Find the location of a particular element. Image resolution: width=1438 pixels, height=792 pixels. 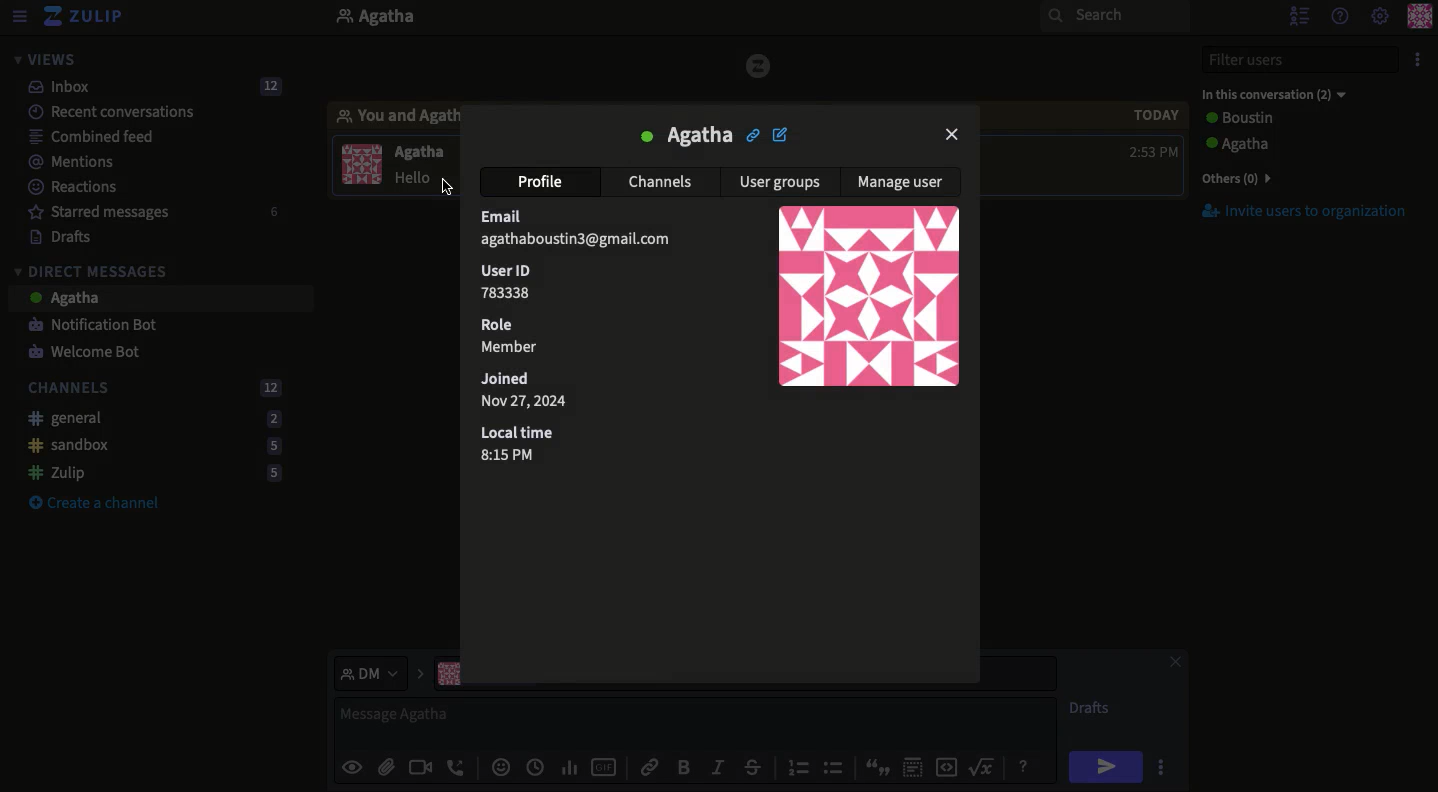

Filter users is located at coordinates (1302, 58).